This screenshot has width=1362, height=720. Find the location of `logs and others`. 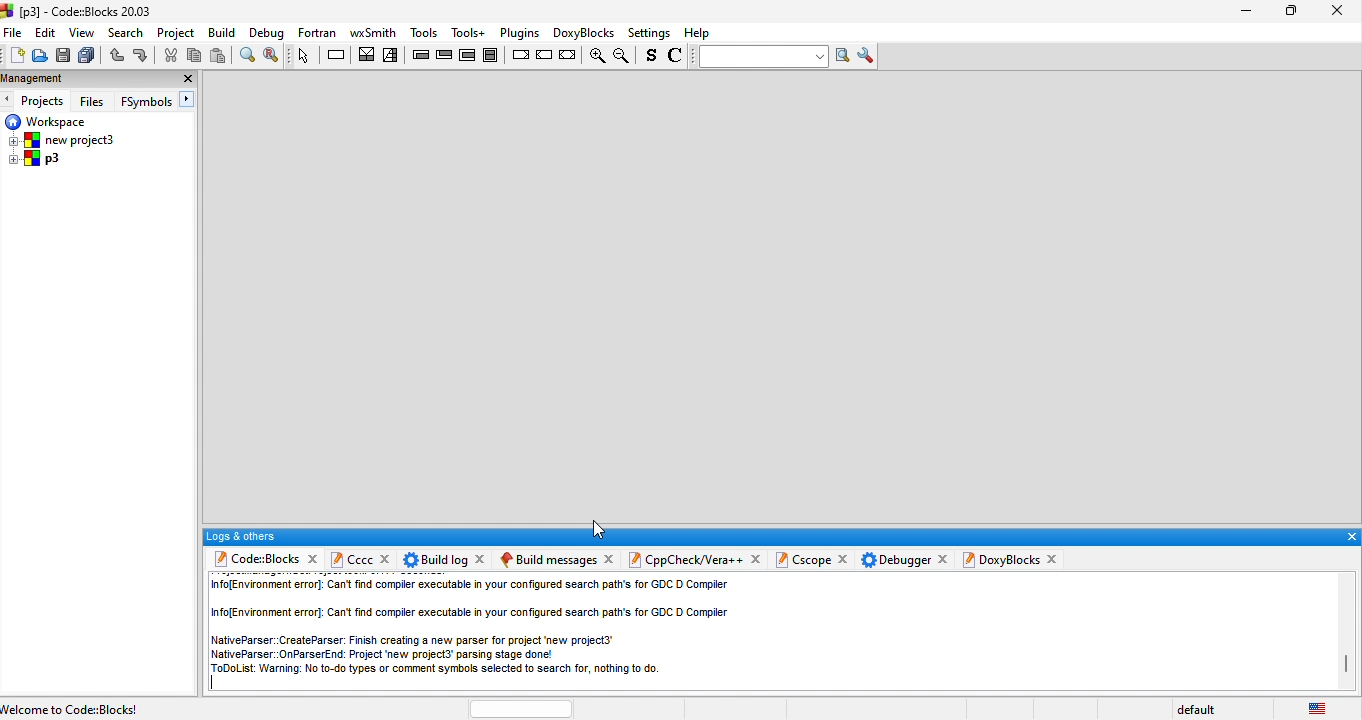

logs and others is located at coordinates (766, 536).